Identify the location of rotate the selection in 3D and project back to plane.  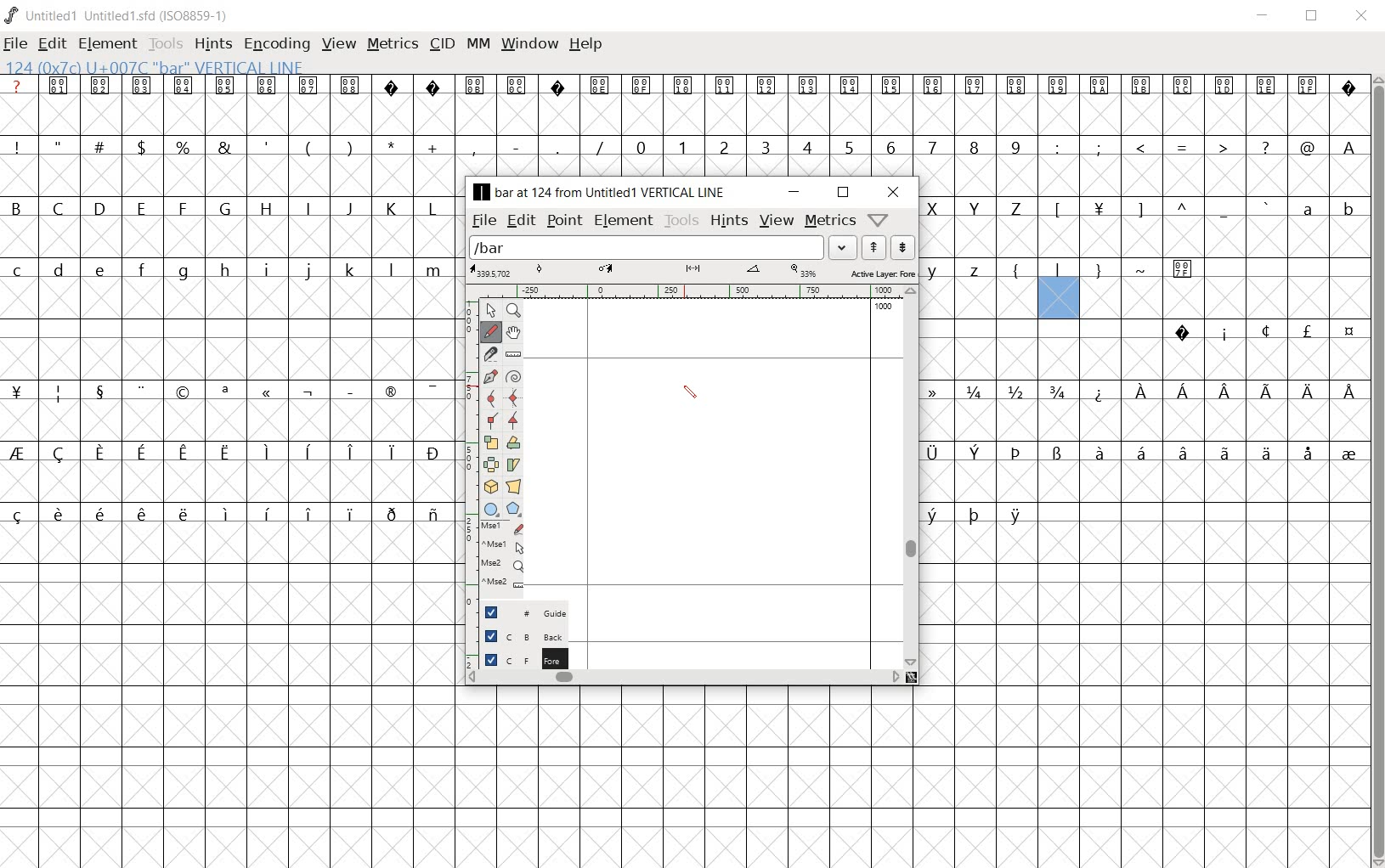
(489, 486).